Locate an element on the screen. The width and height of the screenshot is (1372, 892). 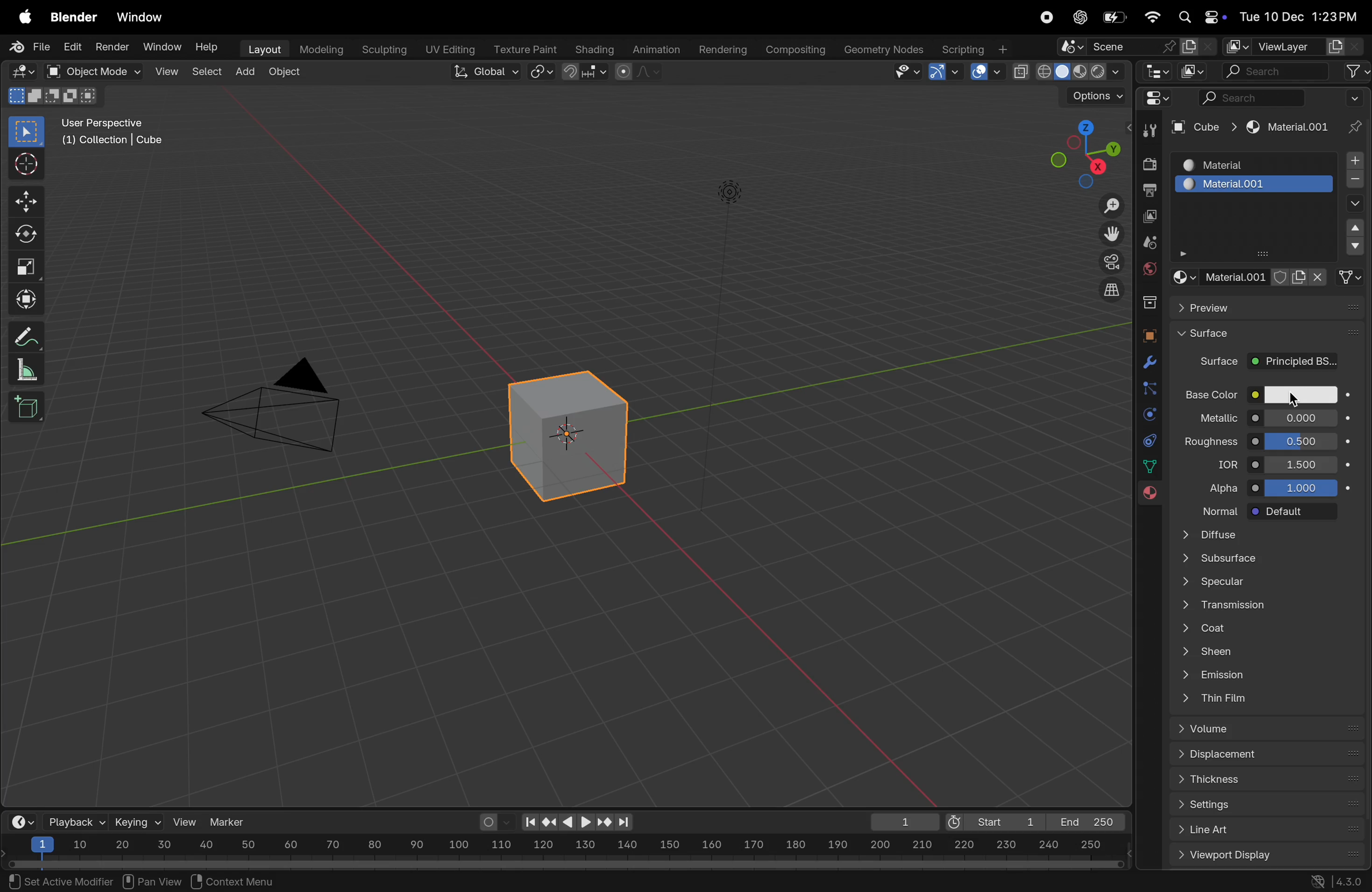
object is located at coordinates (285, 73).